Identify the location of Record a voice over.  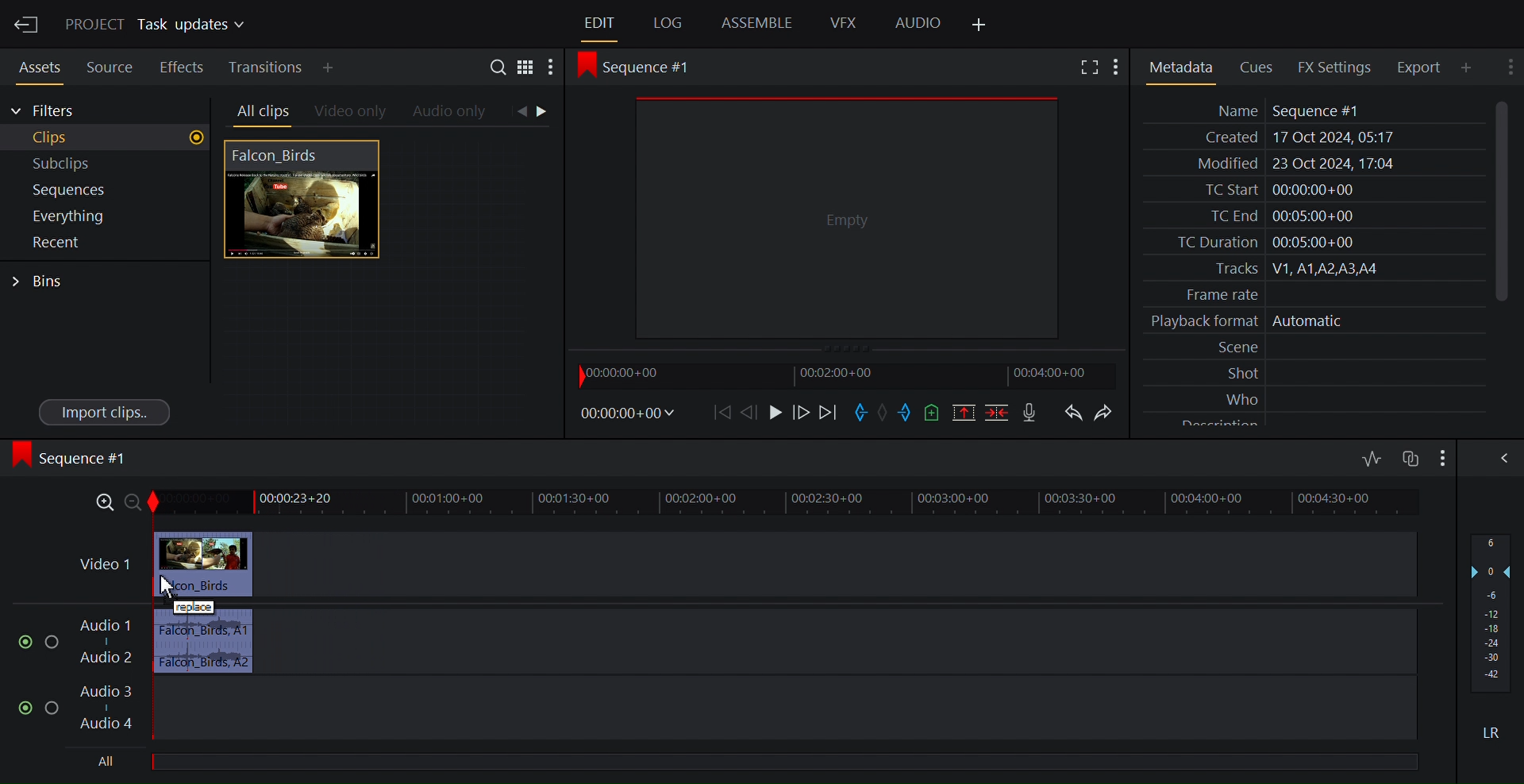
(1031, 413).